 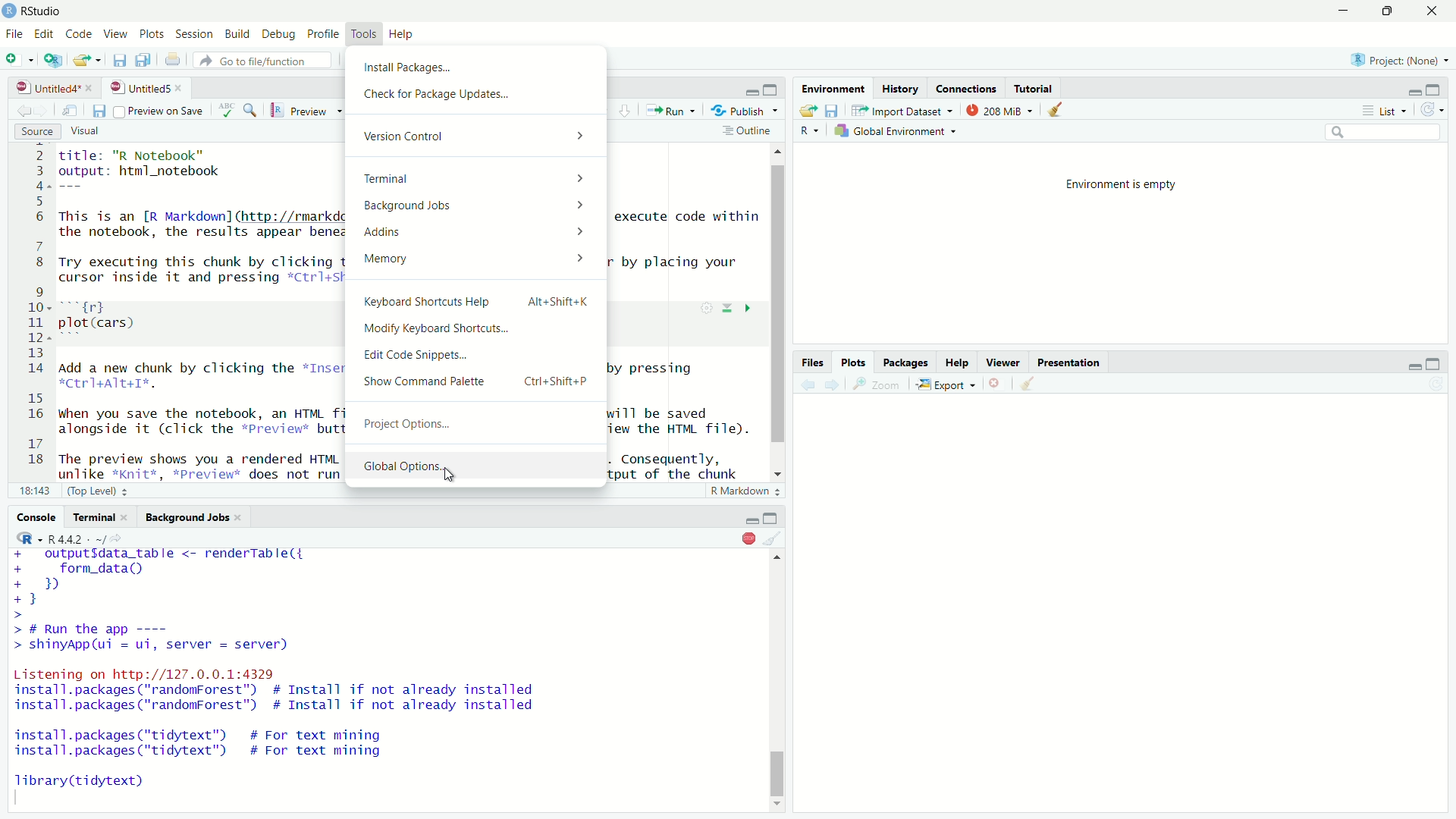 I want to click on View, so click(x=114, y=35).